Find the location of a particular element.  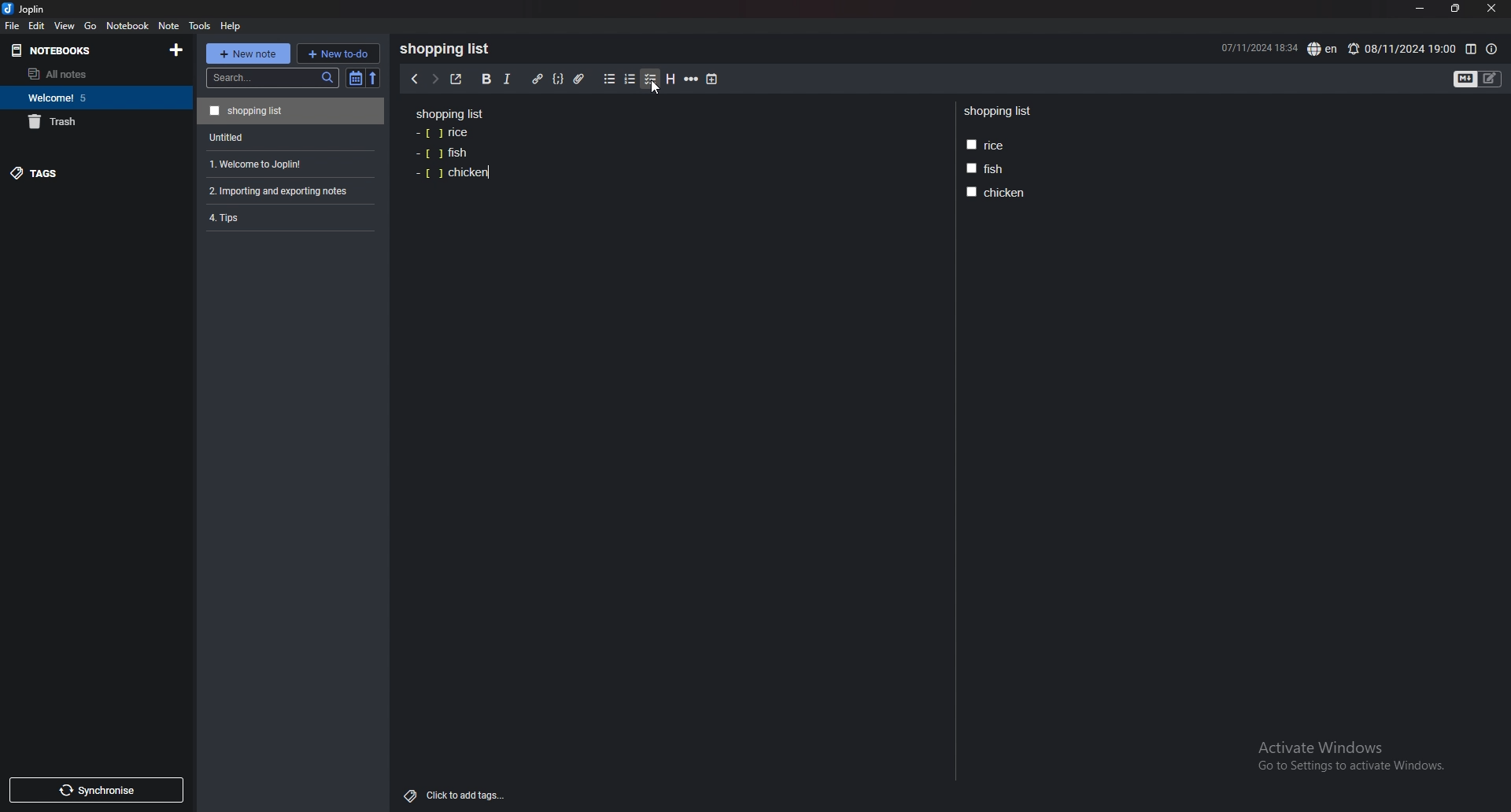

Chicken is located at coordinates (998, 192).